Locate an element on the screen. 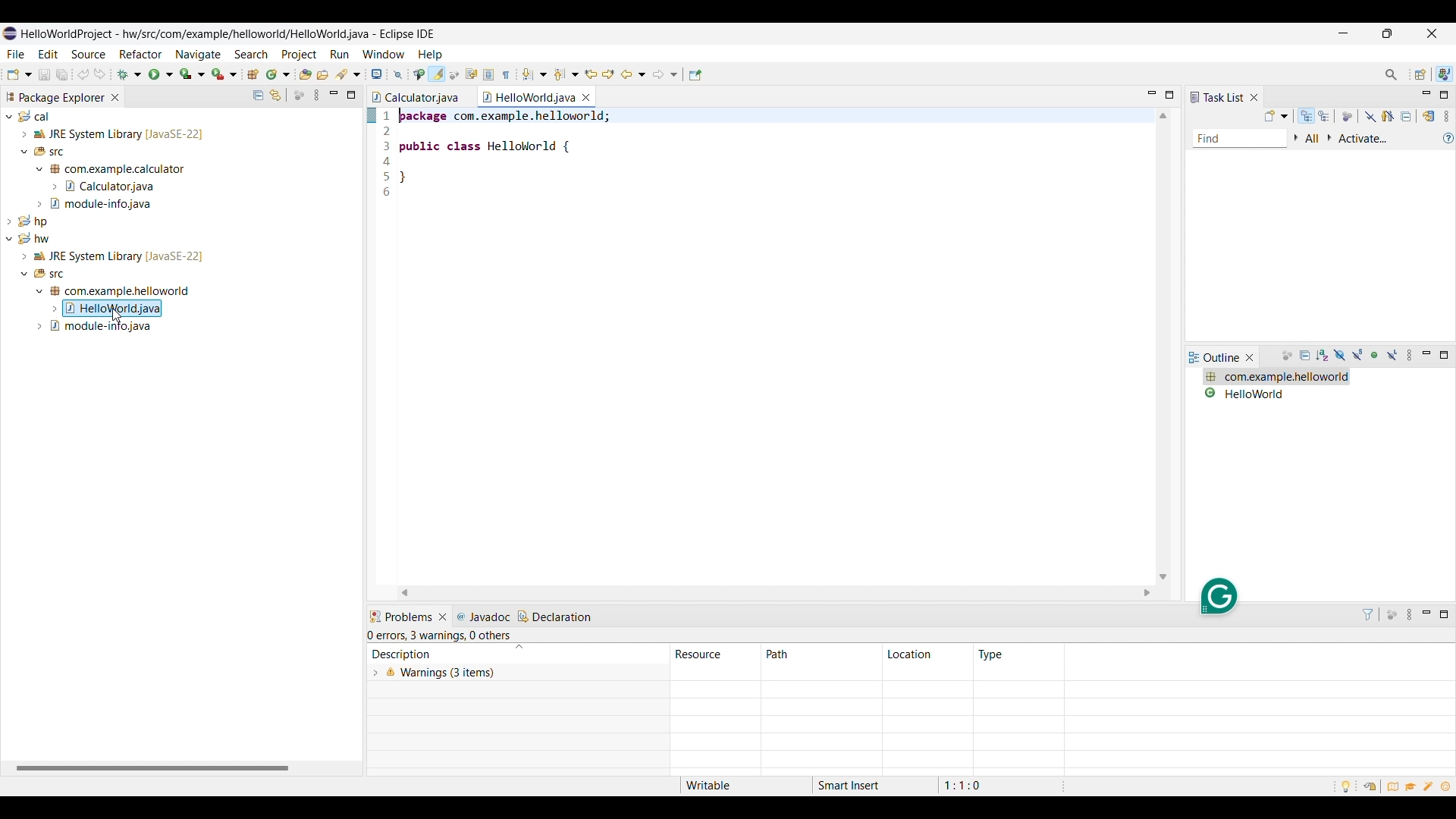 The width and height of the screenshot is (1456, 819). Hide non-public members is located at coordinates (1377, 356).